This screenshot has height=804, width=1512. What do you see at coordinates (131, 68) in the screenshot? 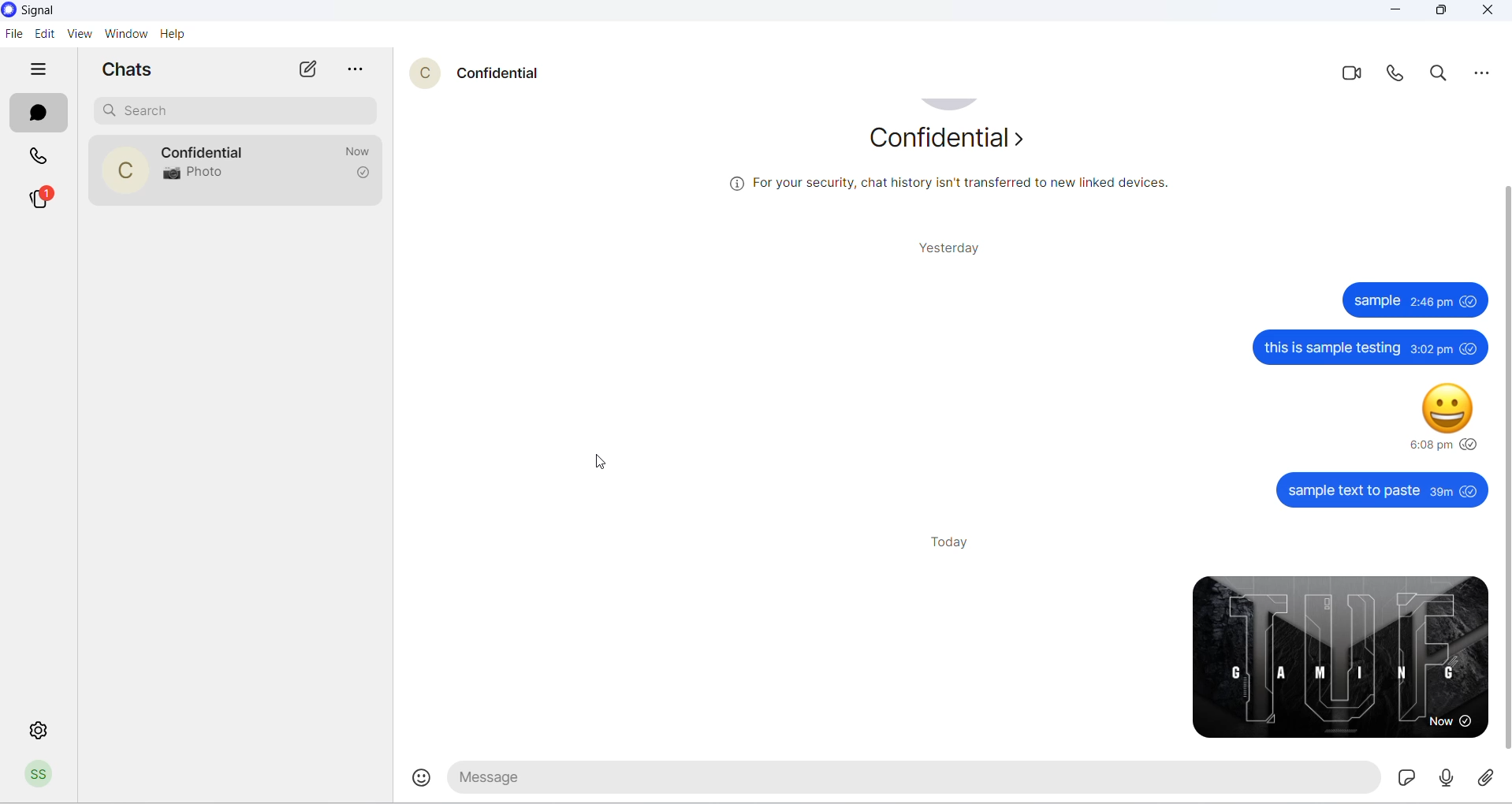
I see `chats heading` at bounding box center [131, 68].